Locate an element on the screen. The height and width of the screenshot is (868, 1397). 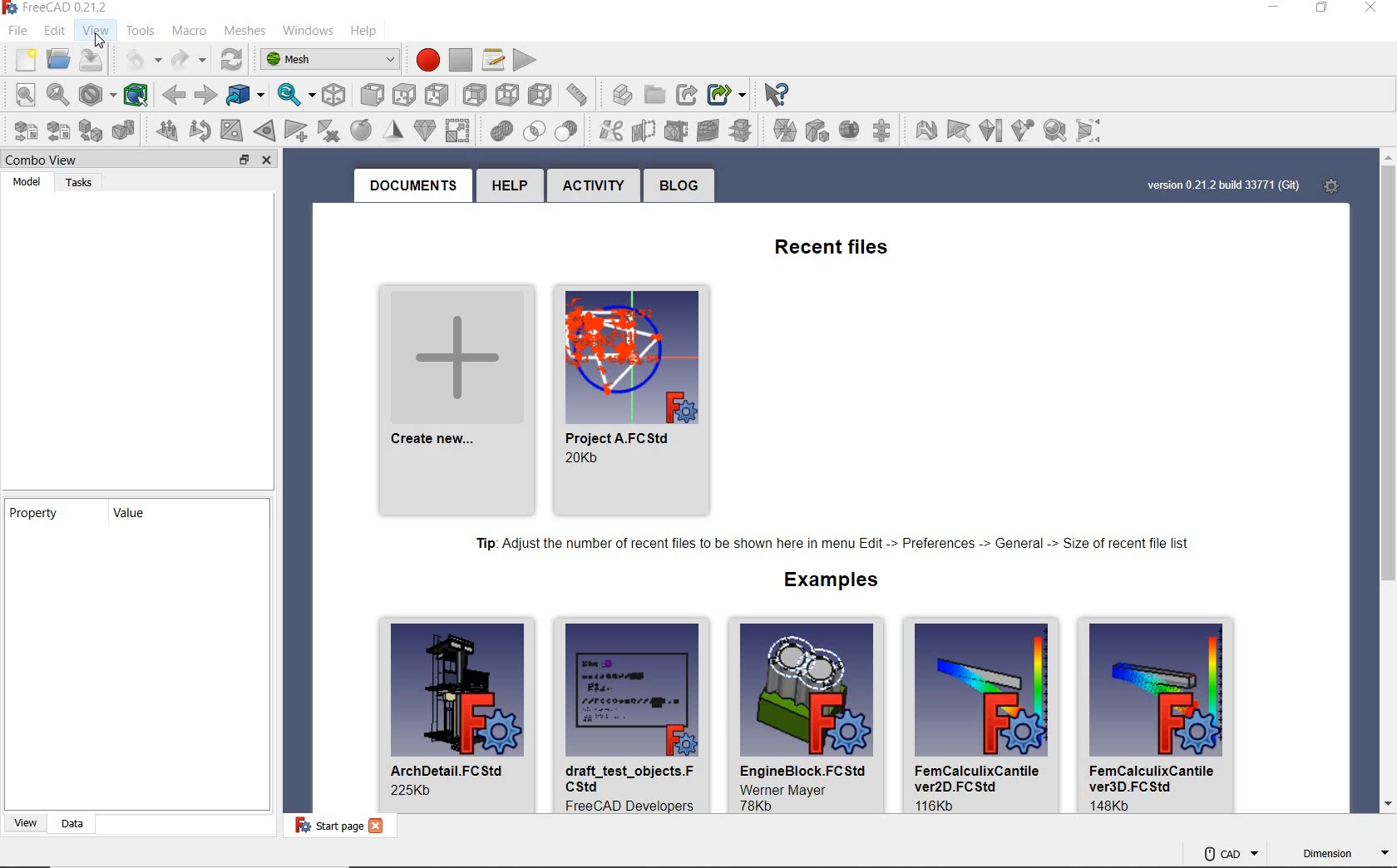
difference is located at coordinates (537, 131).